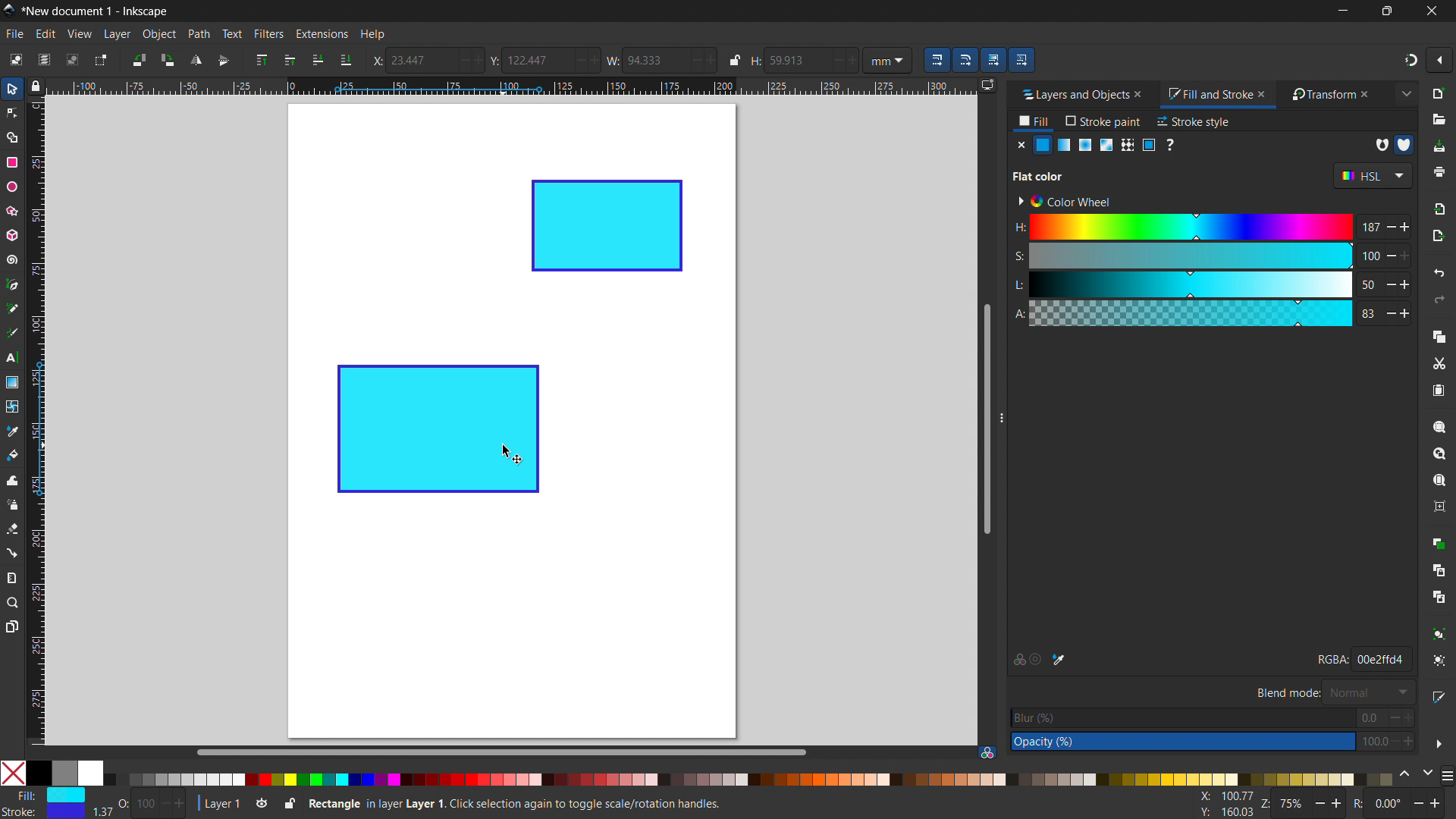 This screenshot has width=1456, height=819. What do you see at coordinates (1440, 172) in the screenshot?
I see `print` at bounding box center [1440, 172].